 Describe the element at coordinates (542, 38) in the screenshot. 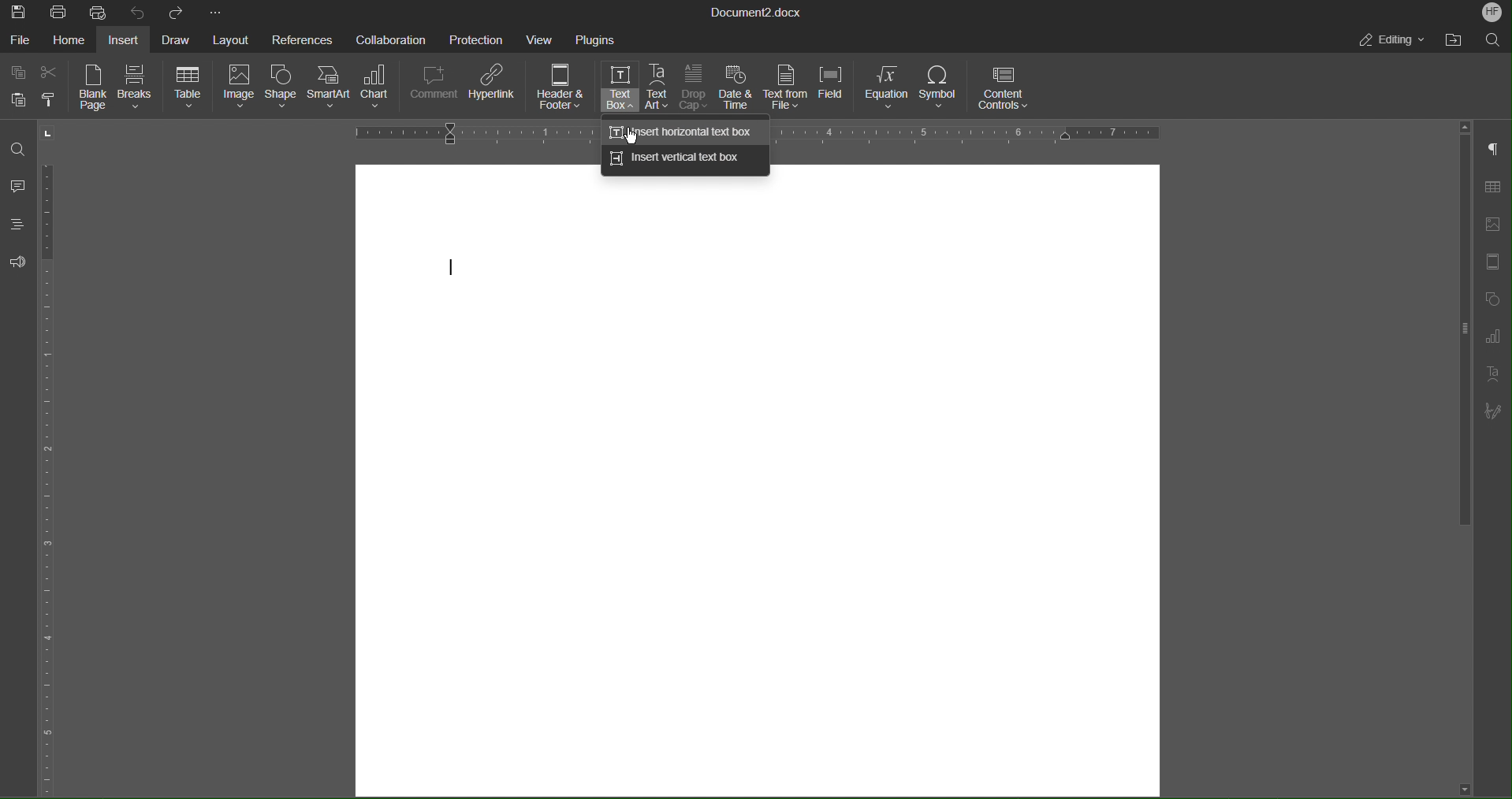

I see `View` at that location.